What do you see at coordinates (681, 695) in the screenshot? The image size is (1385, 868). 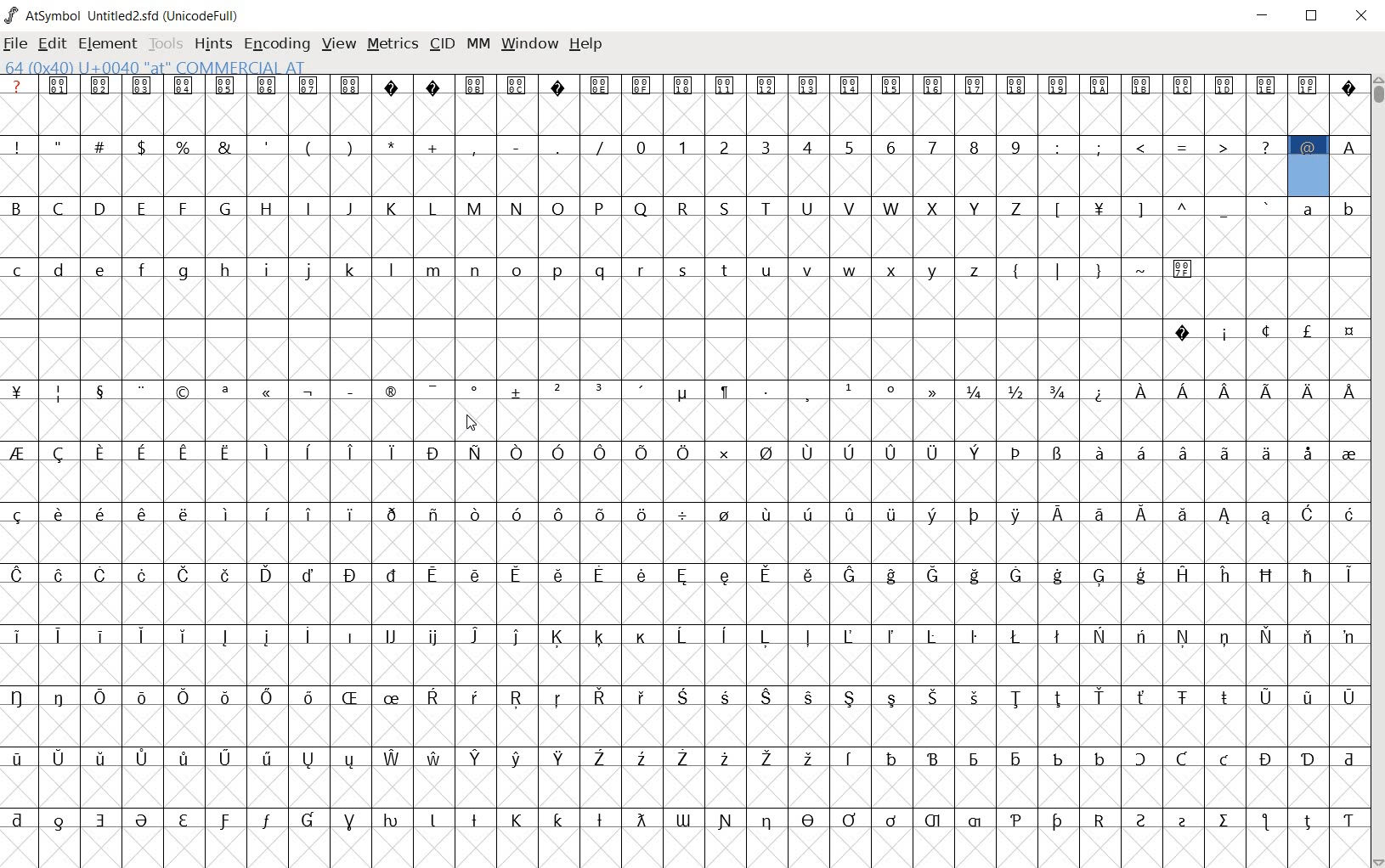 I see `special letters` at bounding box center [681, 695].